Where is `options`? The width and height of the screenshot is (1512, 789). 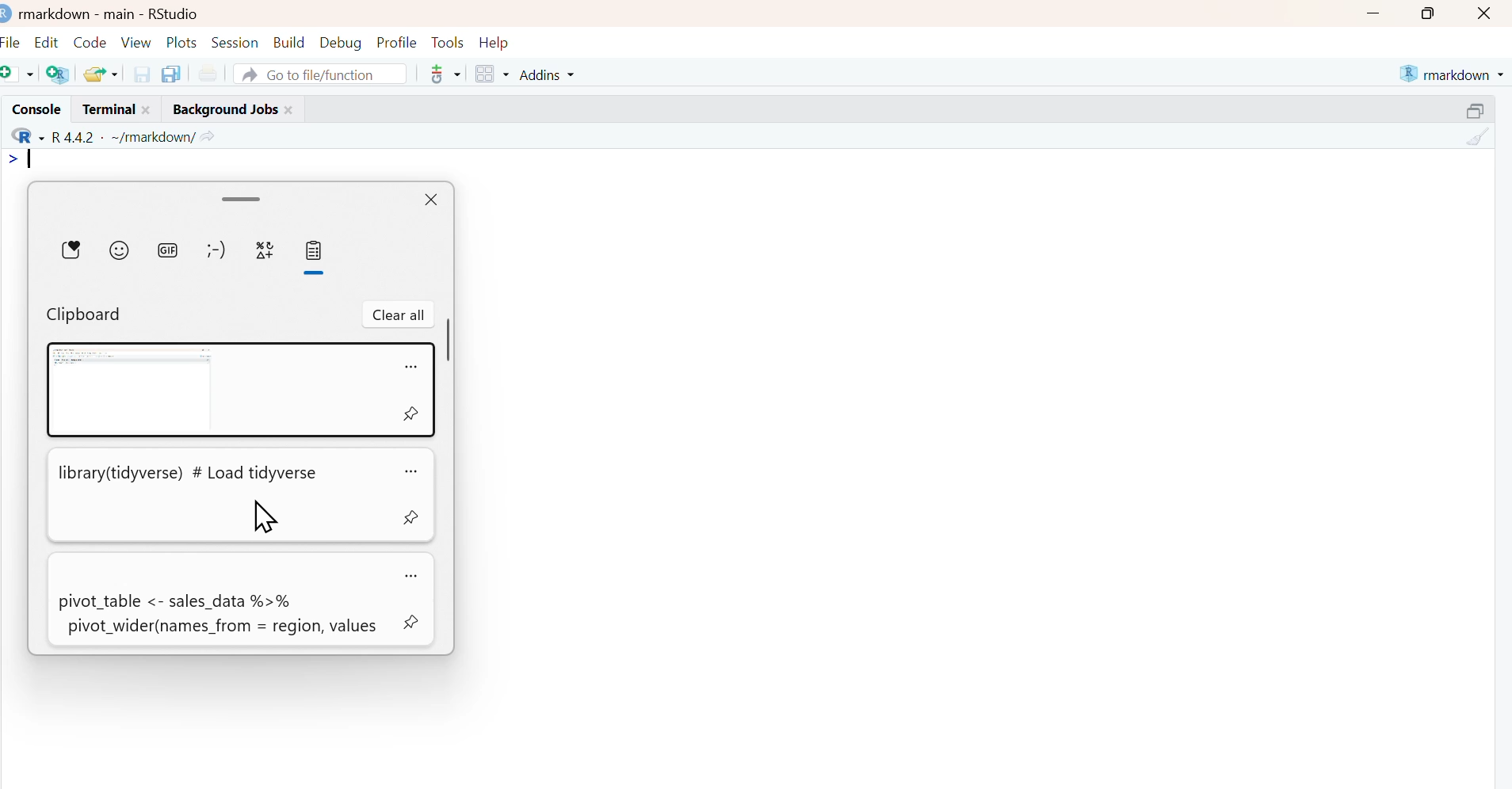 options is located at coordinates (413, 574).